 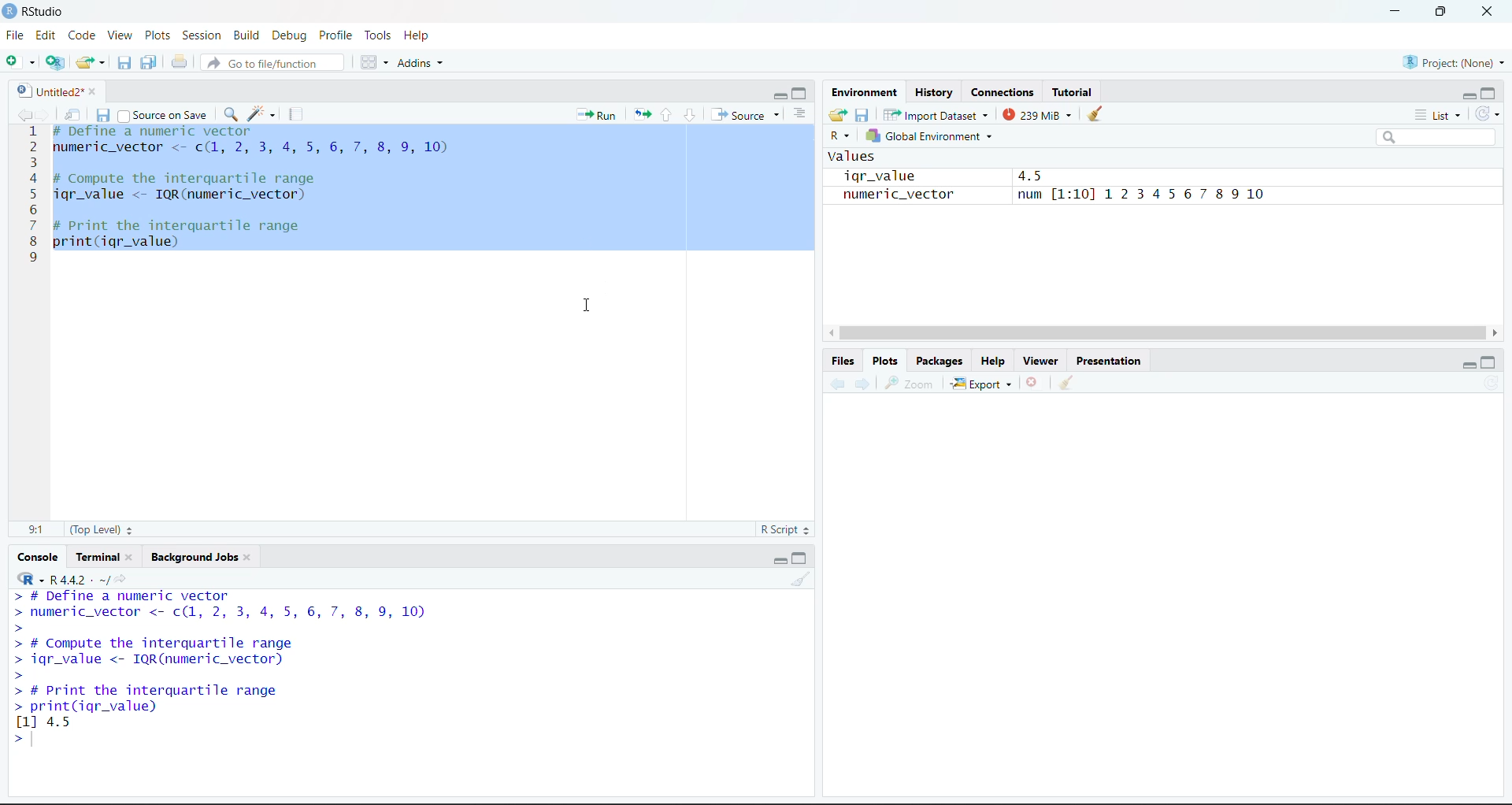 What do you see at coordinates (165, 114) in the screenshot?
I see `Source on Save` at bounding box center [165, 114].